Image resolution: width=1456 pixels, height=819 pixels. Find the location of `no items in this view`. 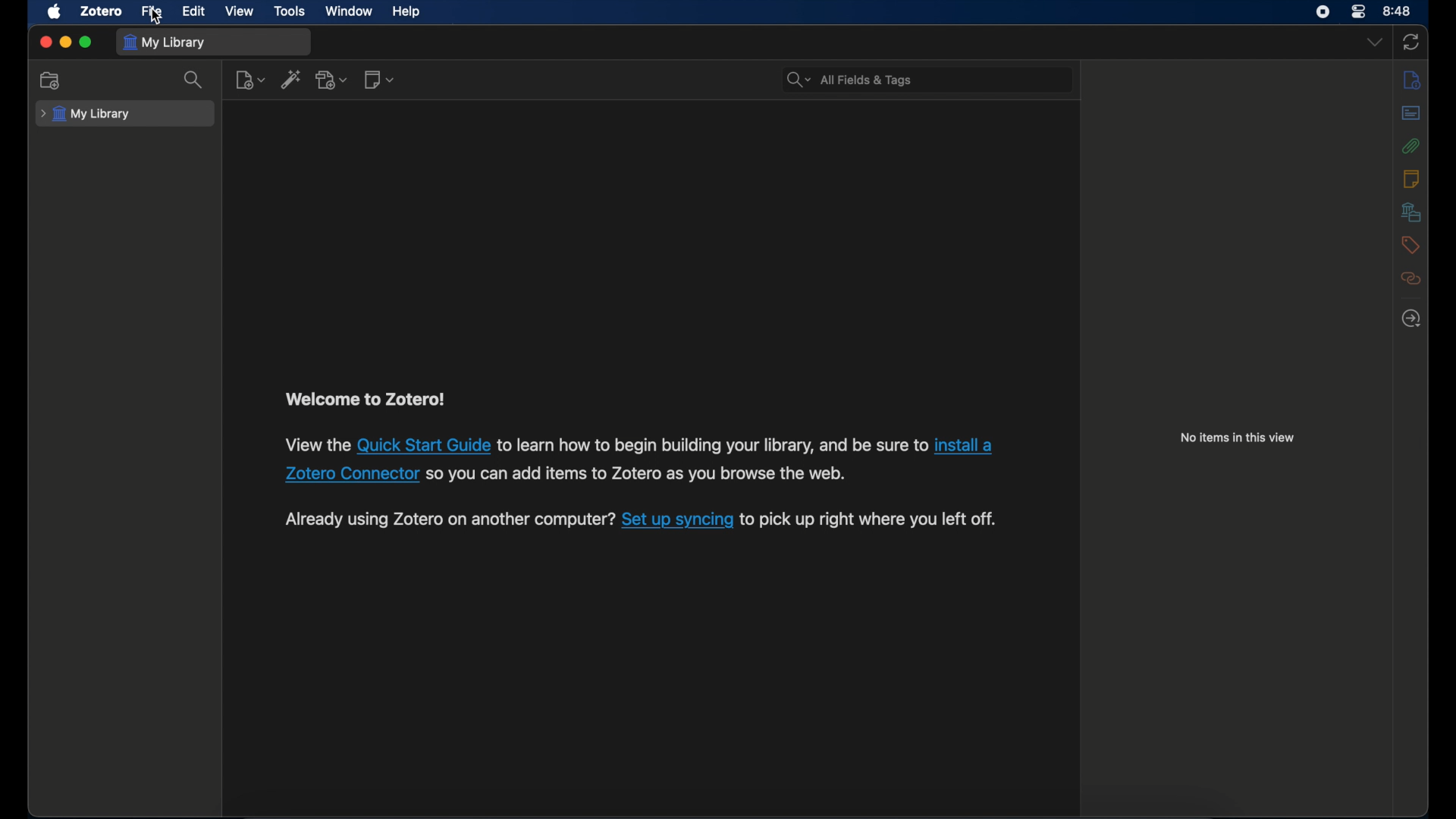

no items in this view is located at coordinates (1238, 437).